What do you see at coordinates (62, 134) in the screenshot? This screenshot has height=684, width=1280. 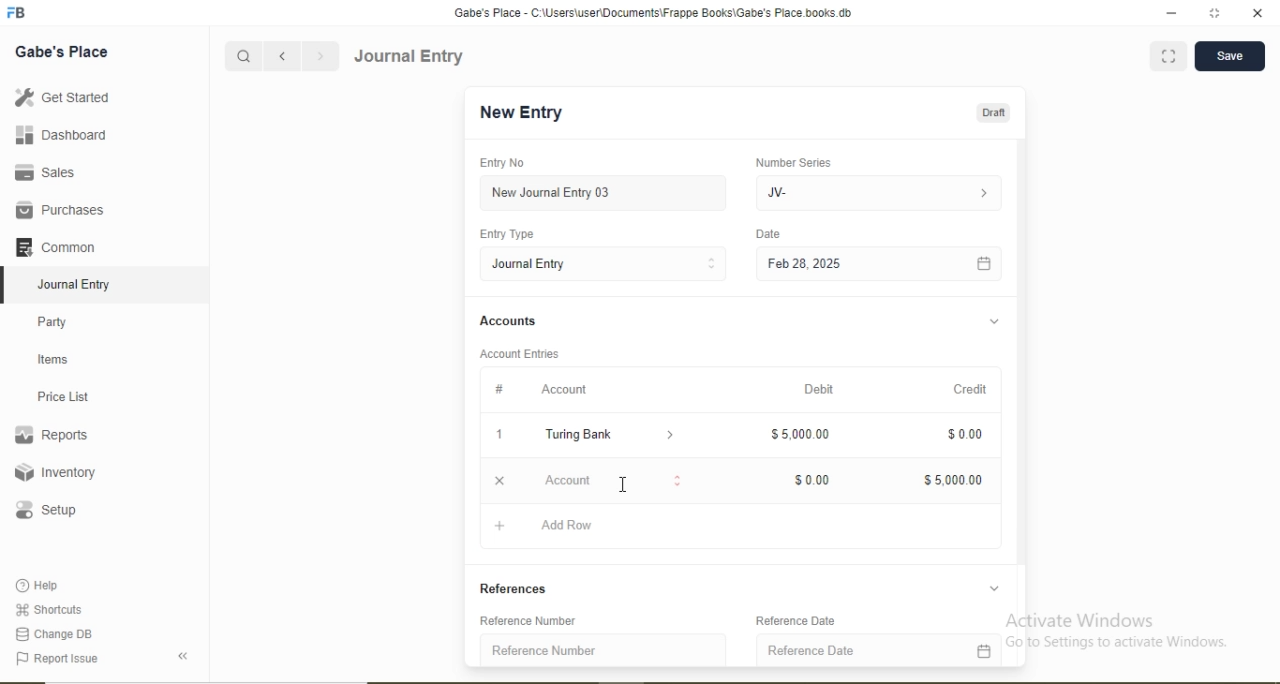 I see `Dashboard` at bounding box center [62, 134].